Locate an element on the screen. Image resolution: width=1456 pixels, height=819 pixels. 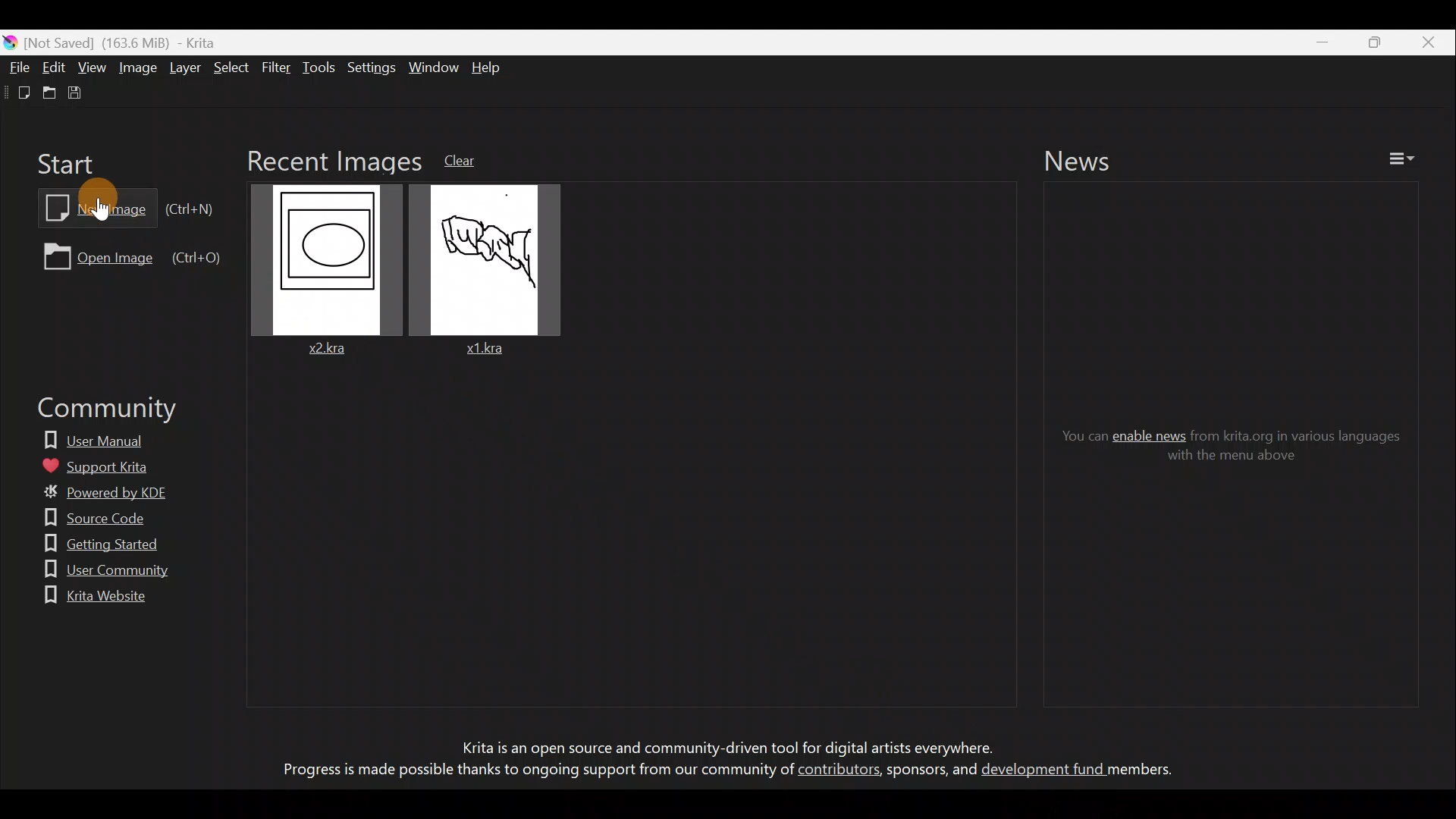
Start is located at coordinates (69, 162).